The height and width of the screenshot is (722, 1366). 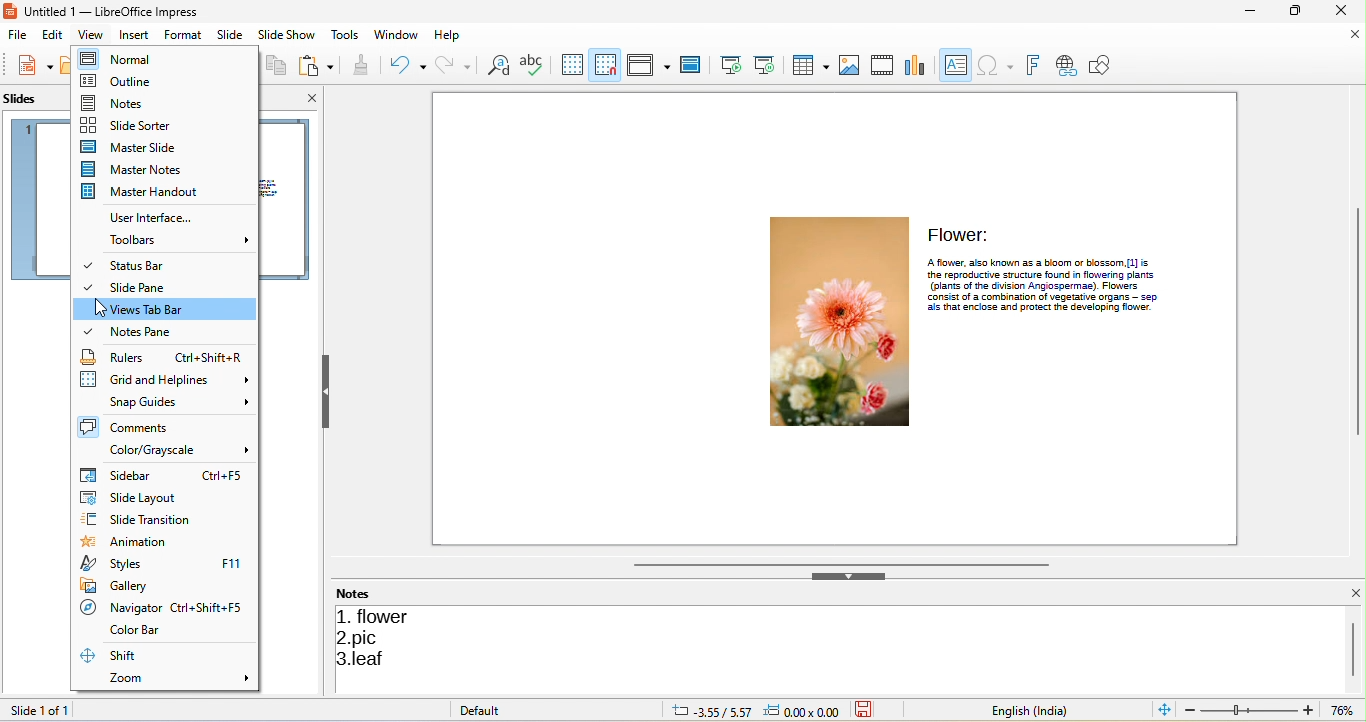 What do you see at coordinates (134, 35) in the screenshot?
I see `insert` at bounding box center [134, 35].